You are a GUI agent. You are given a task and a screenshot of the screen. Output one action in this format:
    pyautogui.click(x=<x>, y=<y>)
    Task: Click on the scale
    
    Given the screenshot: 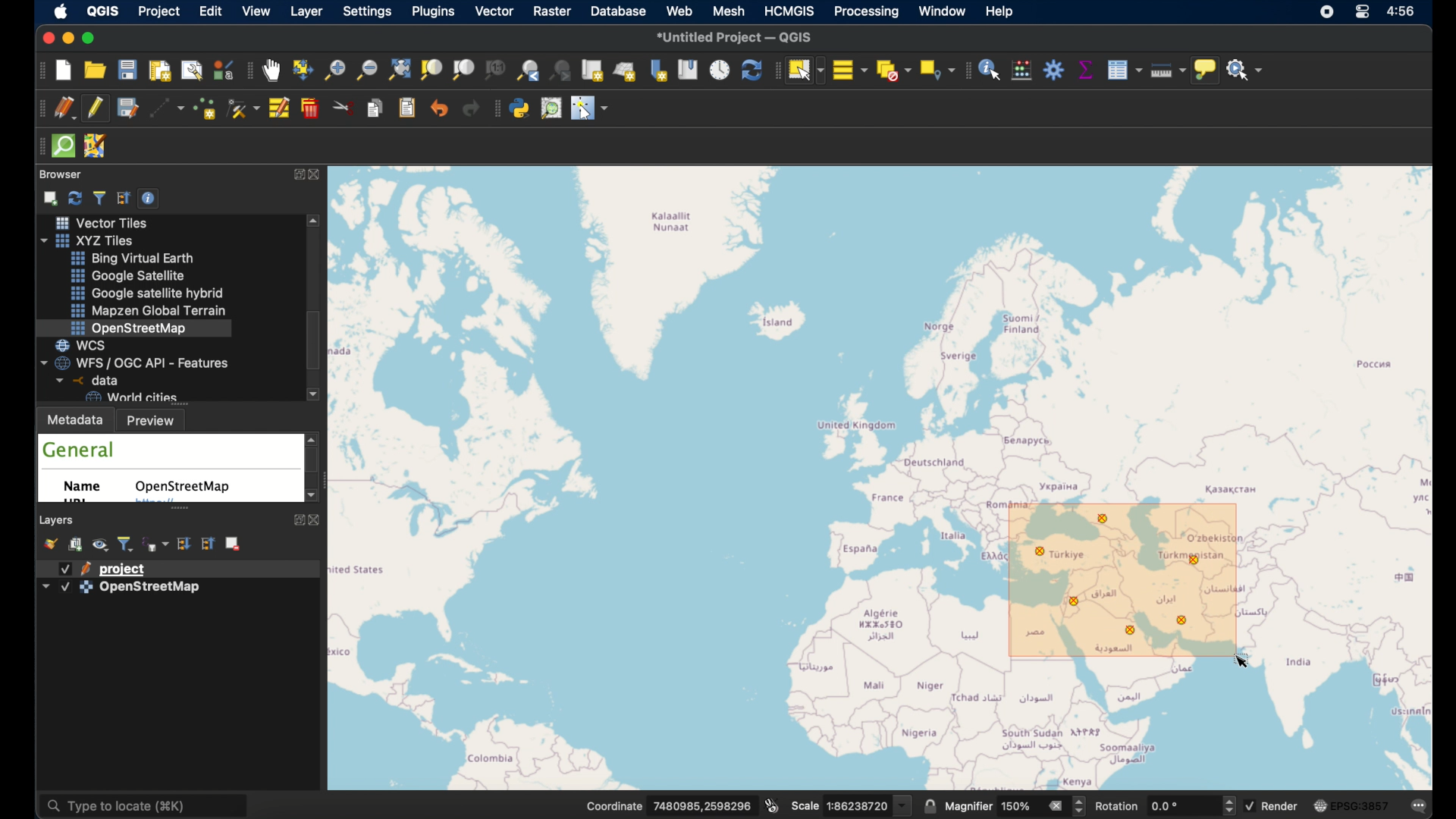 What is the action you would take?
    pyautogui.click(x=804, y=808)
    